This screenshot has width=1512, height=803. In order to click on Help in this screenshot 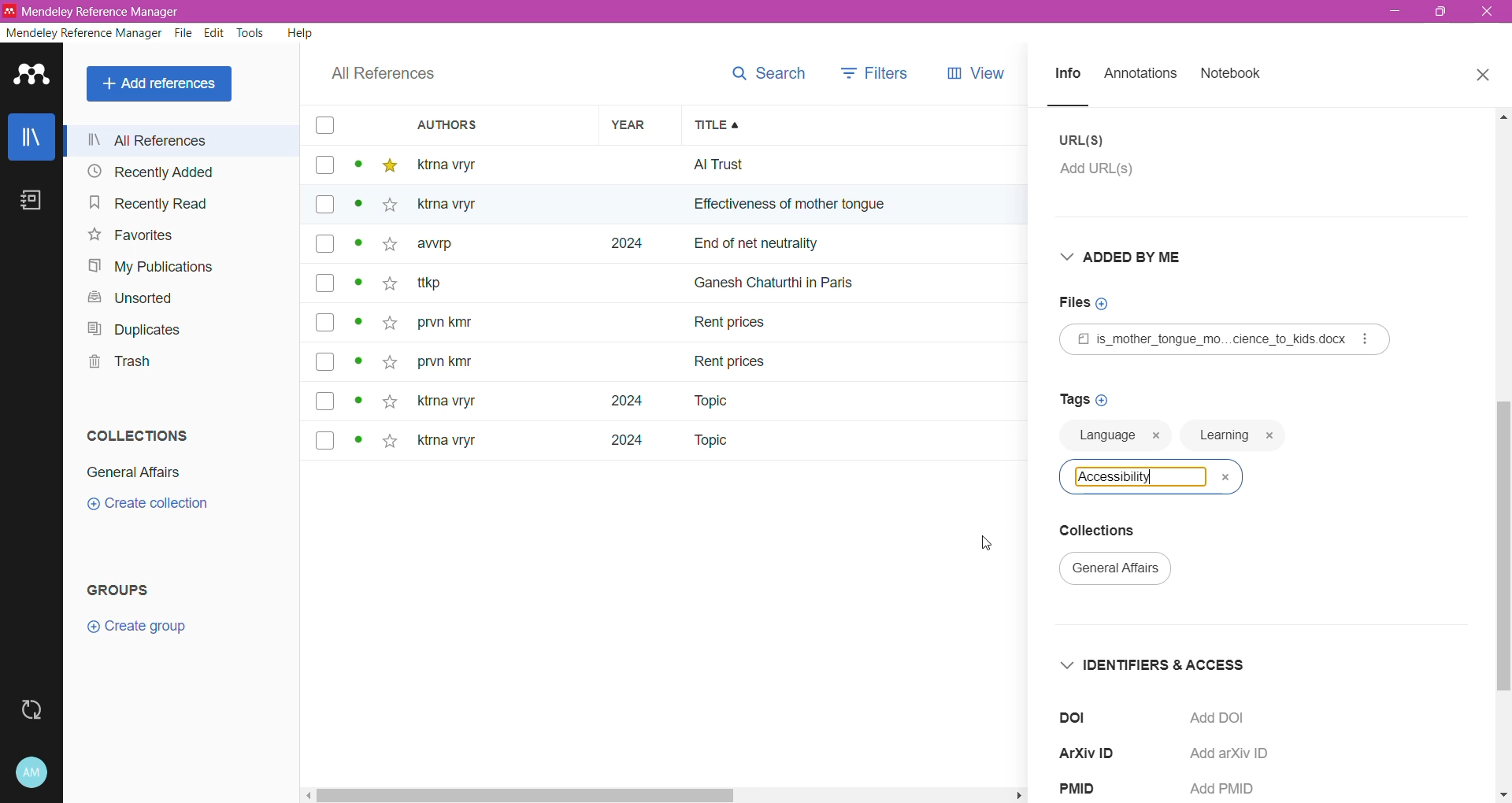, I will do `click(301, 32)`.